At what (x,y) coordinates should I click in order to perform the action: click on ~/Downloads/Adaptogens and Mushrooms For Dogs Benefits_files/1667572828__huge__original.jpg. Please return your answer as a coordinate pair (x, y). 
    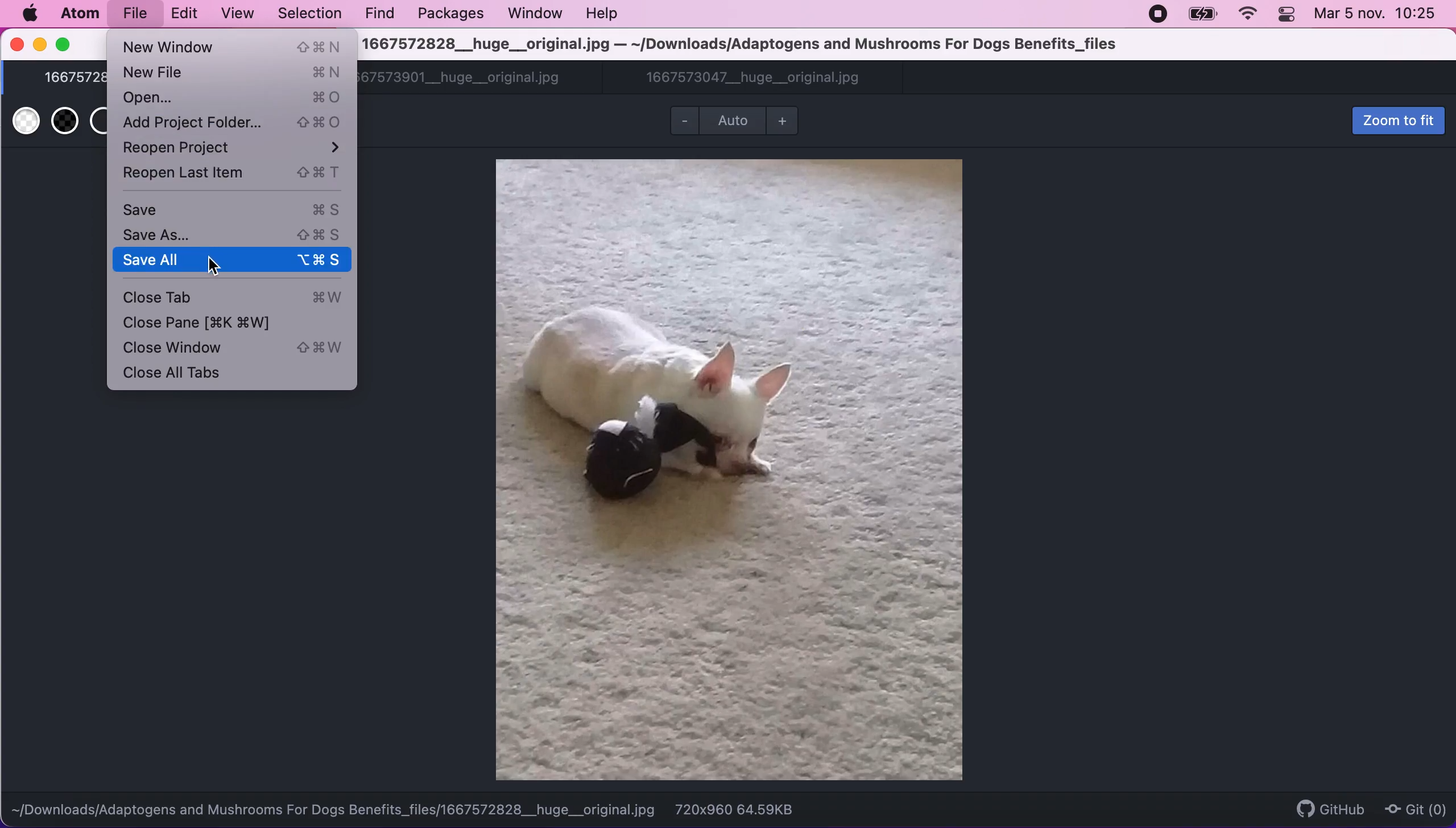
    Looking at the image, I should click on (334, 810).